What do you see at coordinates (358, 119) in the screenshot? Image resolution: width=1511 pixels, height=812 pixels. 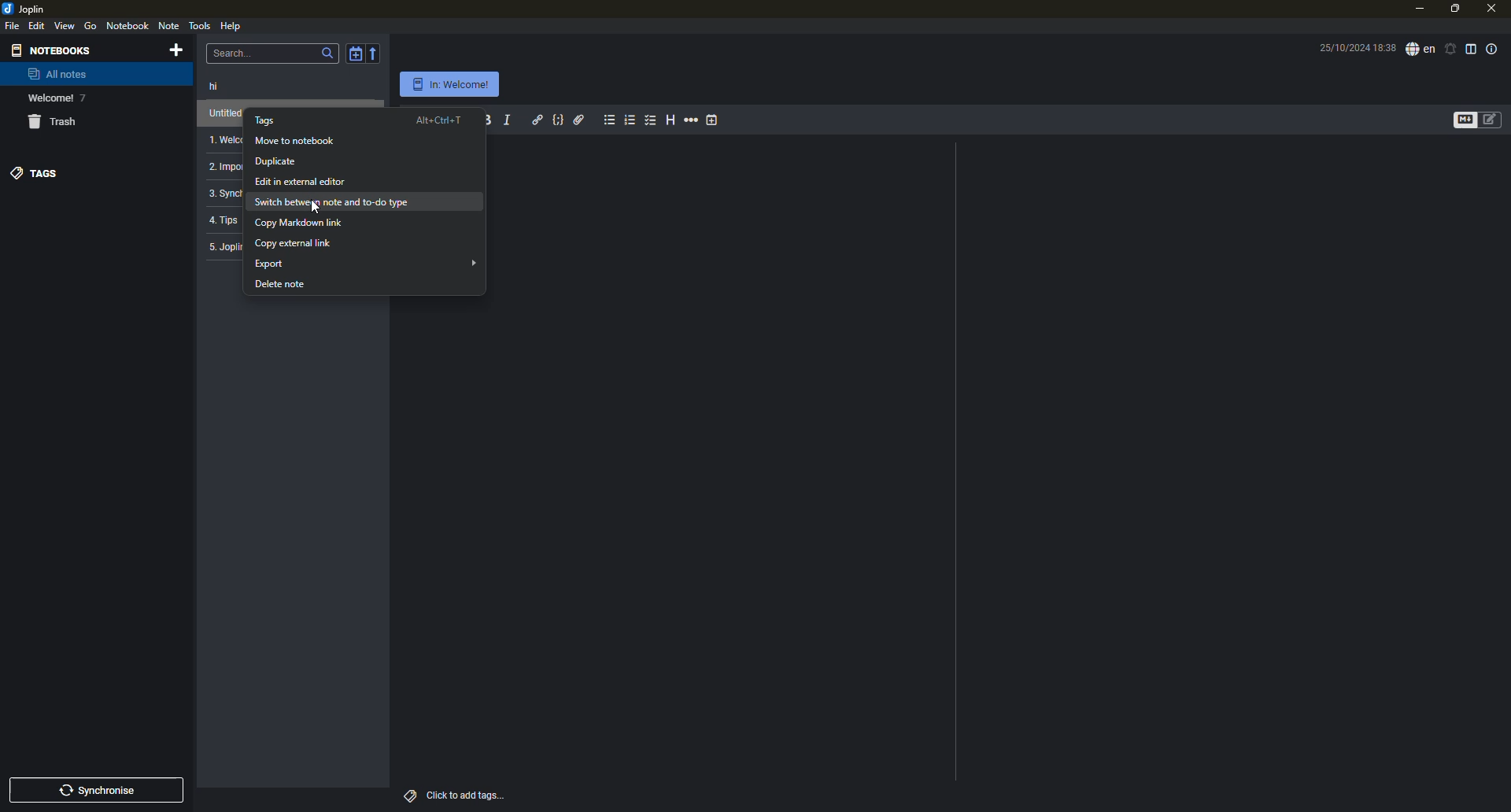 I see `Tags alt+ctrl+t` at bounding box center [358, 119].